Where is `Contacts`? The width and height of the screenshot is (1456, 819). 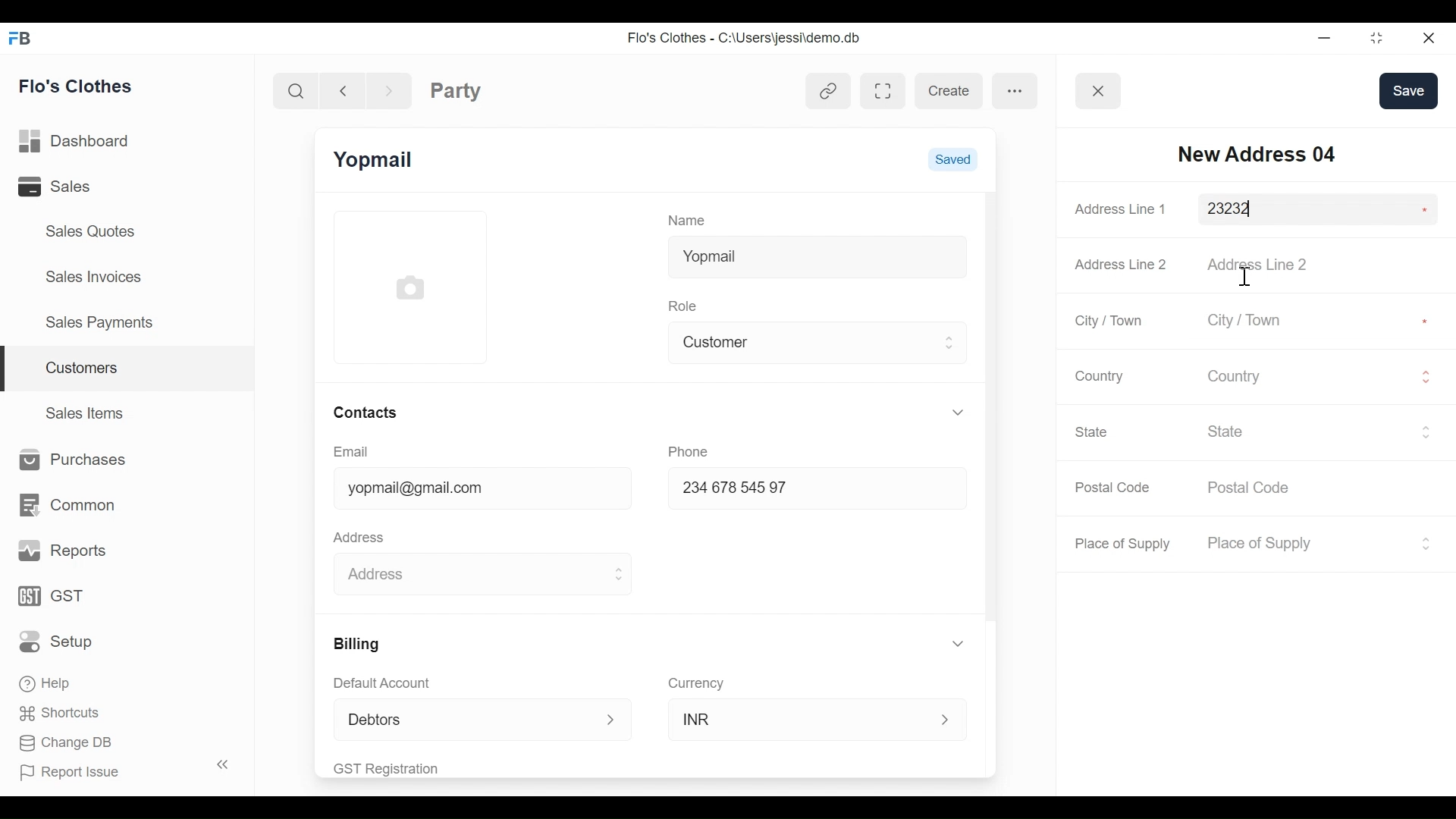
Contacts is located at coordinates (364, 412).